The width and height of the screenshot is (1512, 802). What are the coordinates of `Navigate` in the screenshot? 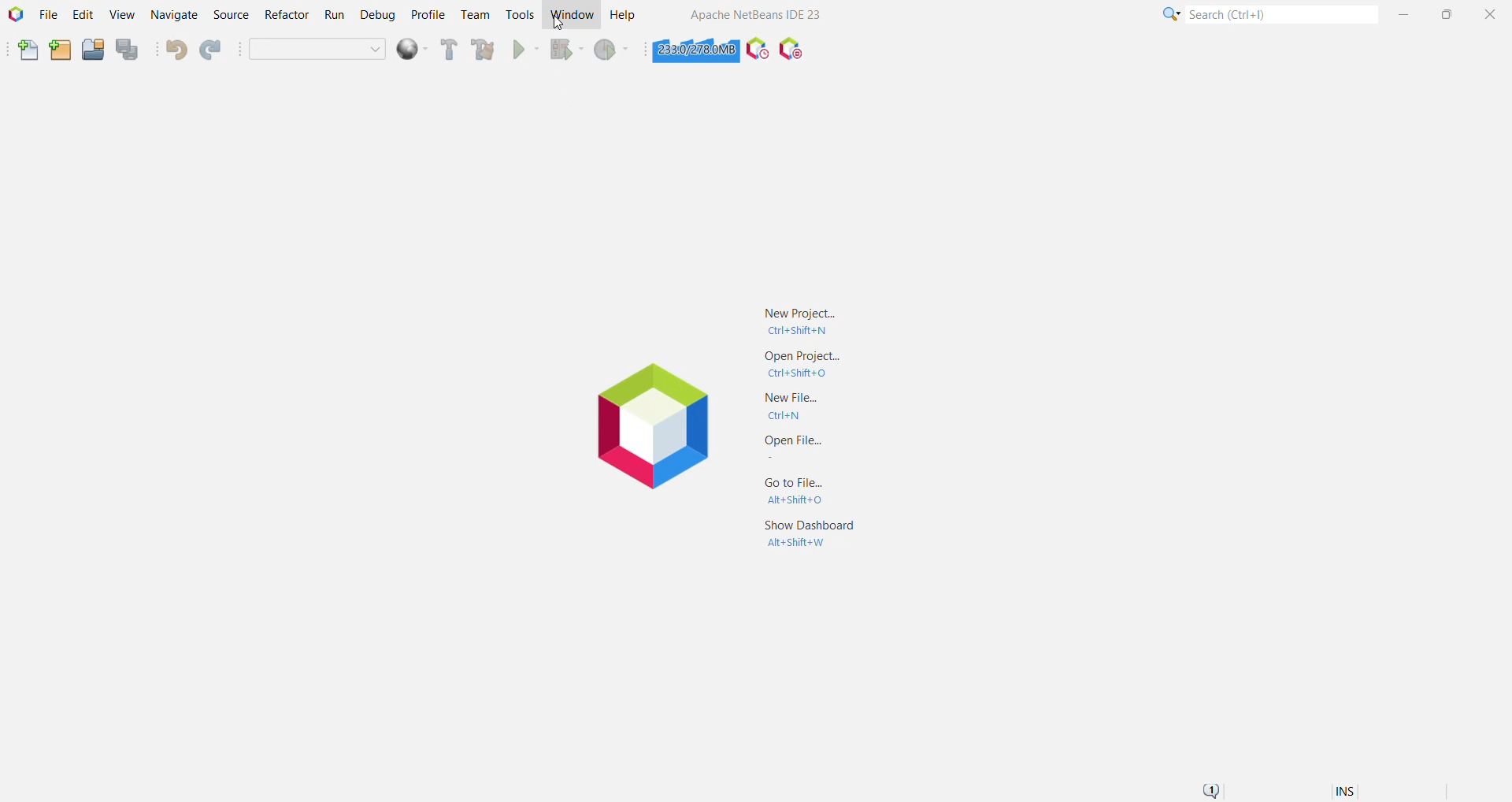 It's located at (172, 16).